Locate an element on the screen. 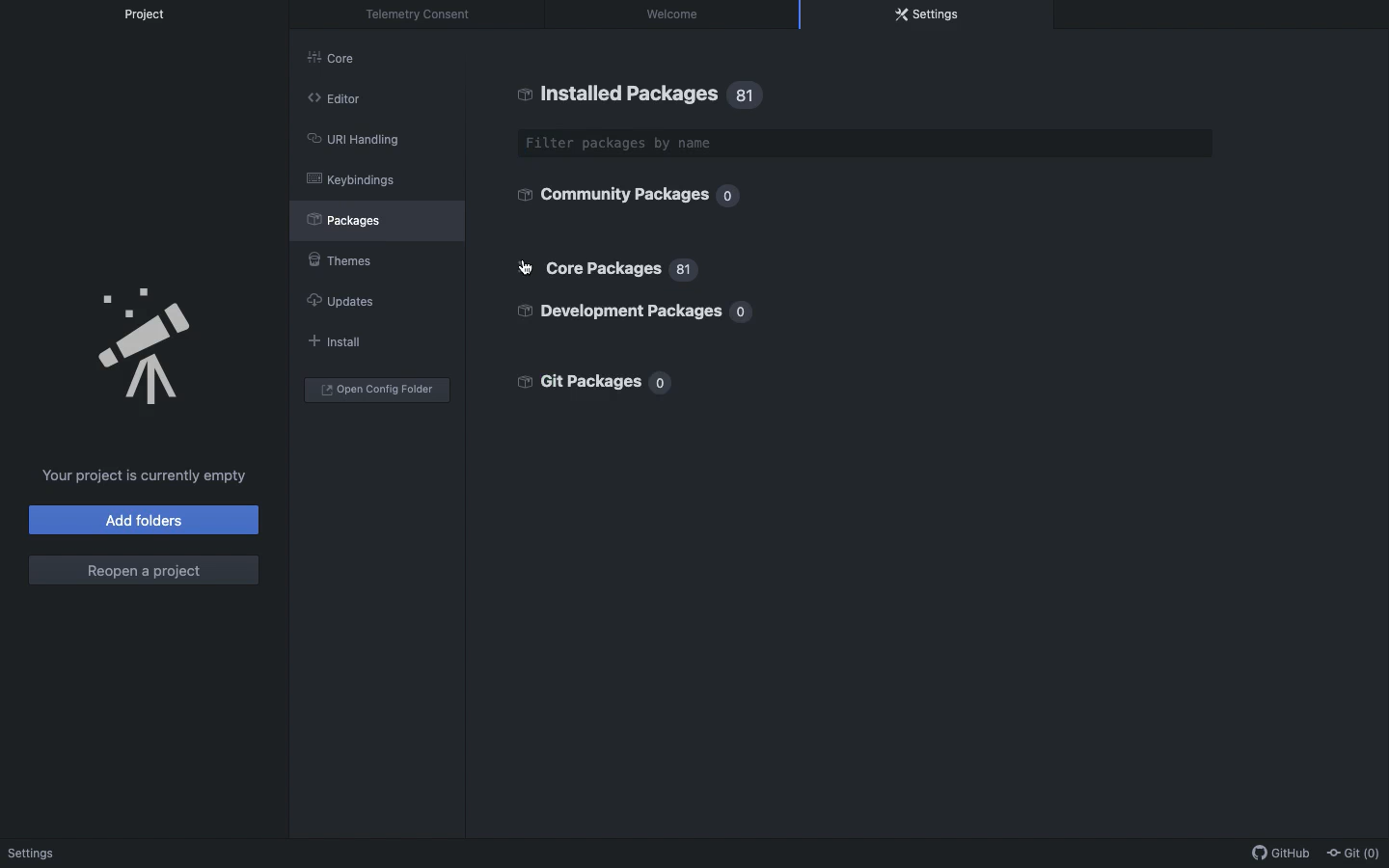 This screenshot has height=868, width=1389. Open config folder is located at coordinates (377, 390).